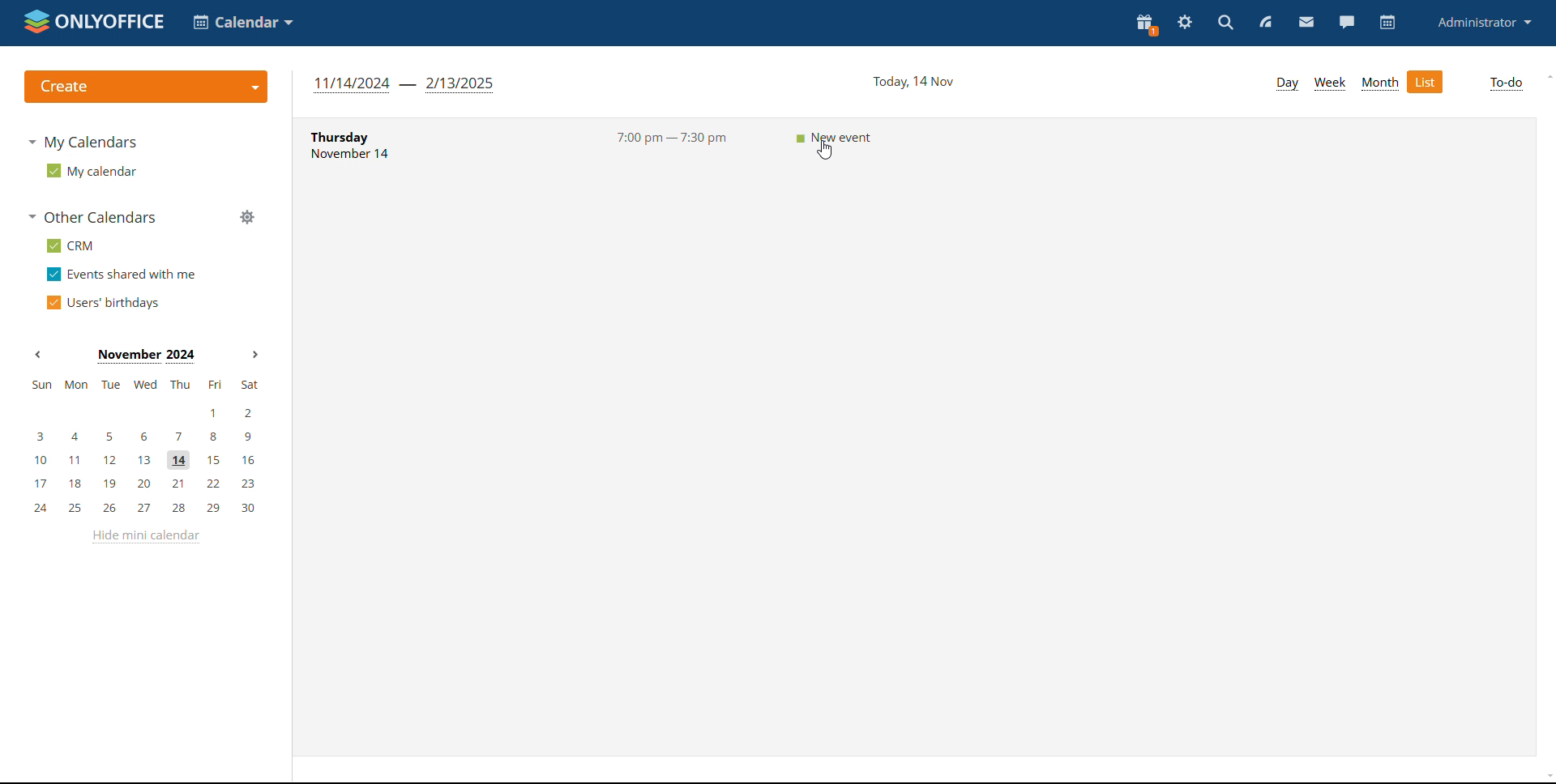 The height and width of the screenshot is (784, 1556). What do you see at coordinates (1186, 21) in the screenshot?
I see `settings` at bounding box center [1186, 21].